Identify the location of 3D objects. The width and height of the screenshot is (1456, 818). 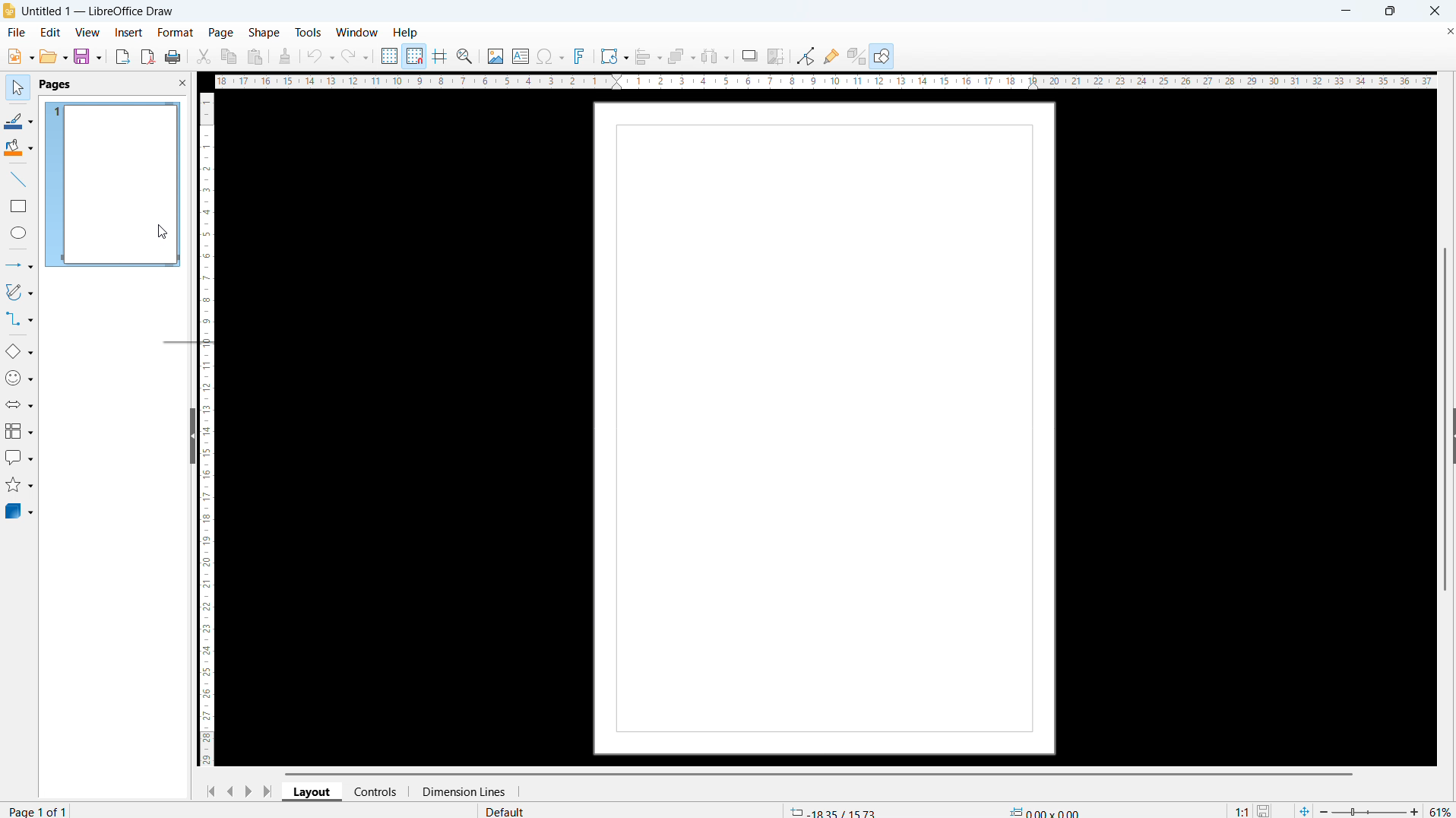
(20, 511).